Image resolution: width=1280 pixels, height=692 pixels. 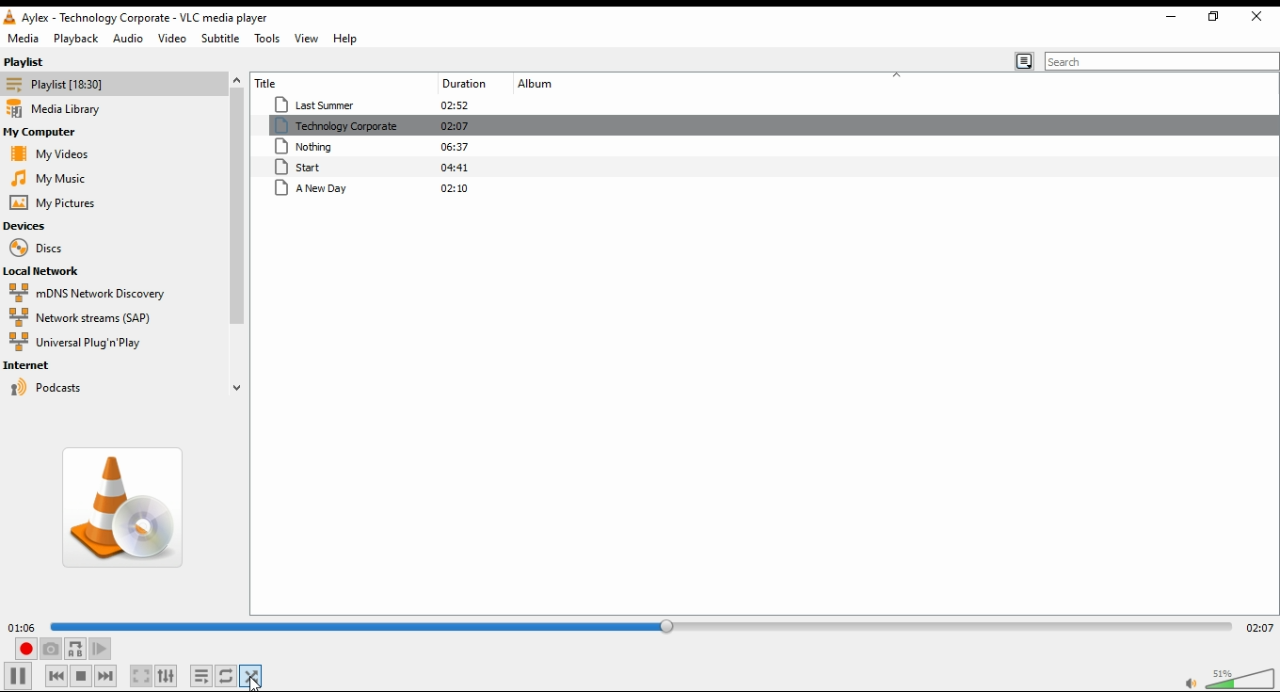 What do you see at coordinates (46, 133) in the screenshot?
I see `my computer` at bounding box center [46, 133].